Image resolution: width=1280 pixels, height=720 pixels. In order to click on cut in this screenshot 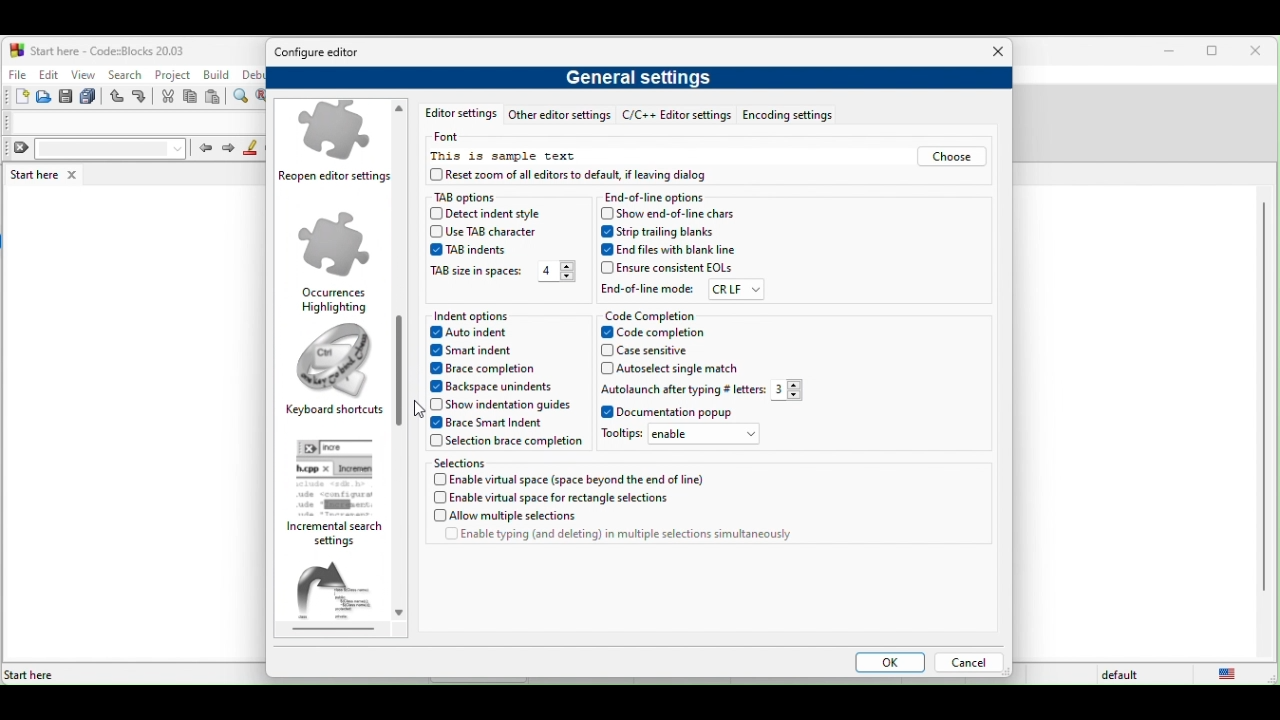, I will do `click(168, 97)`.